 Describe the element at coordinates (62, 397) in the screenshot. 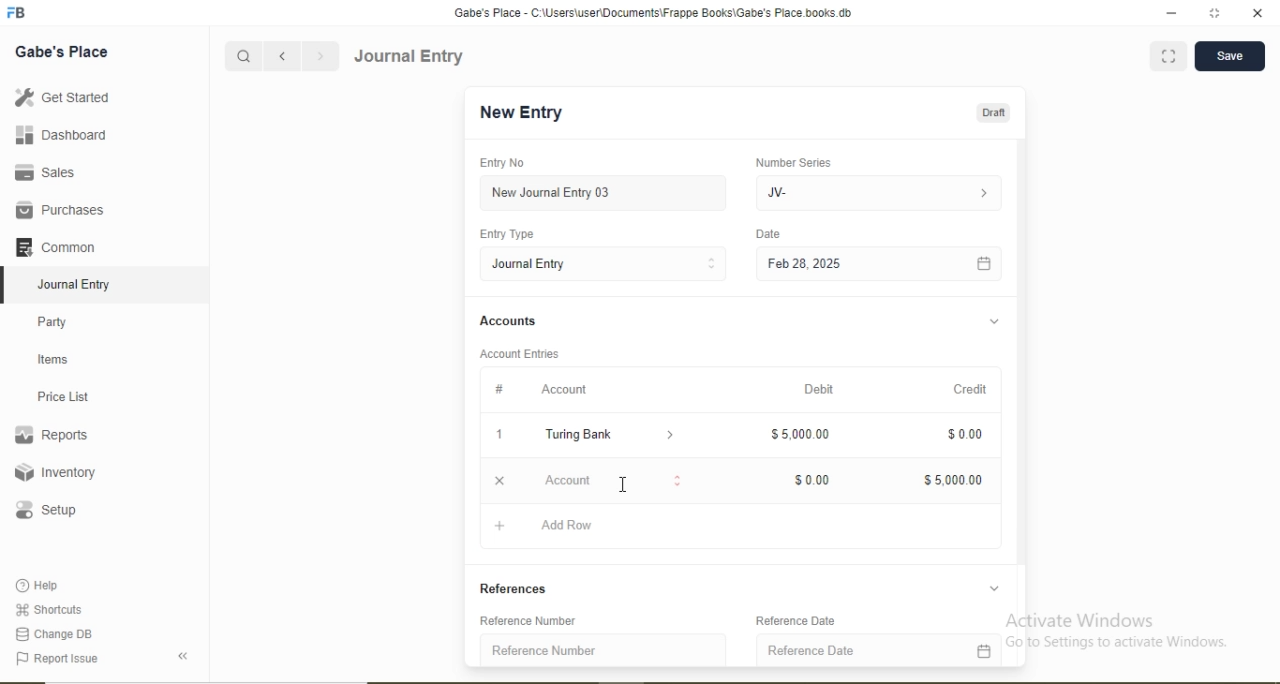

I see `Price List` at that location.